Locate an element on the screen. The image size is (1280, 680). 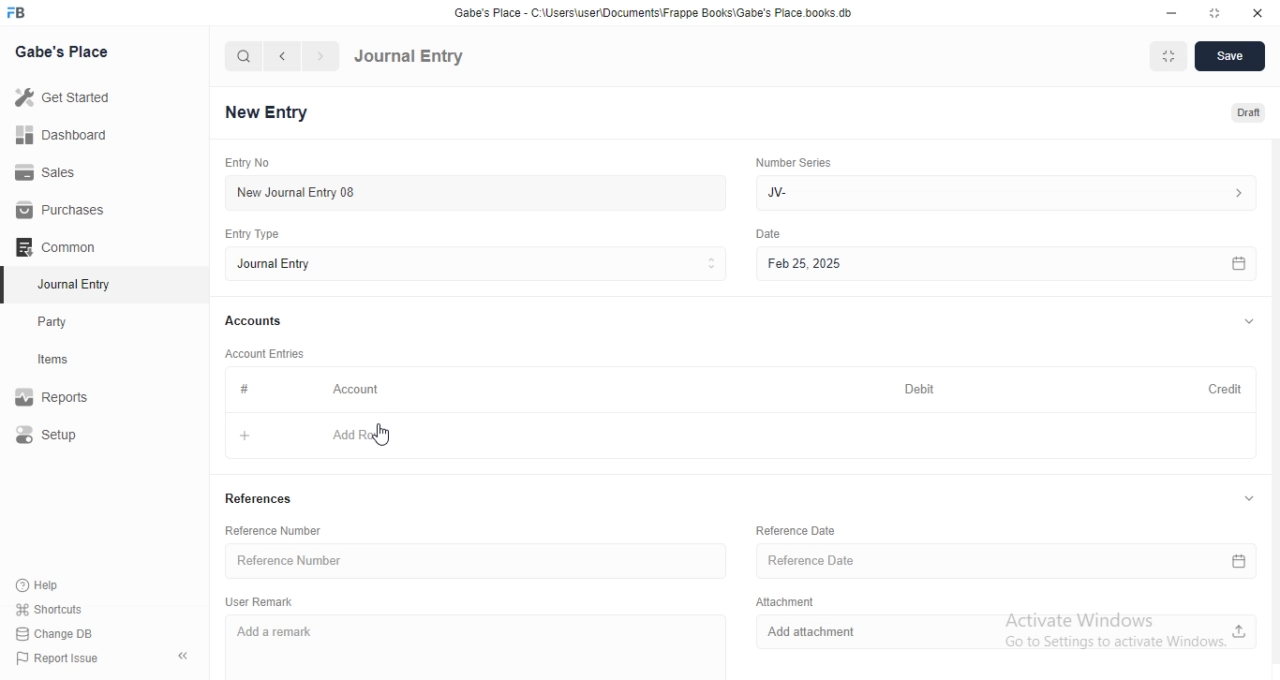
navigate backward is located at coordinates (285, 56).